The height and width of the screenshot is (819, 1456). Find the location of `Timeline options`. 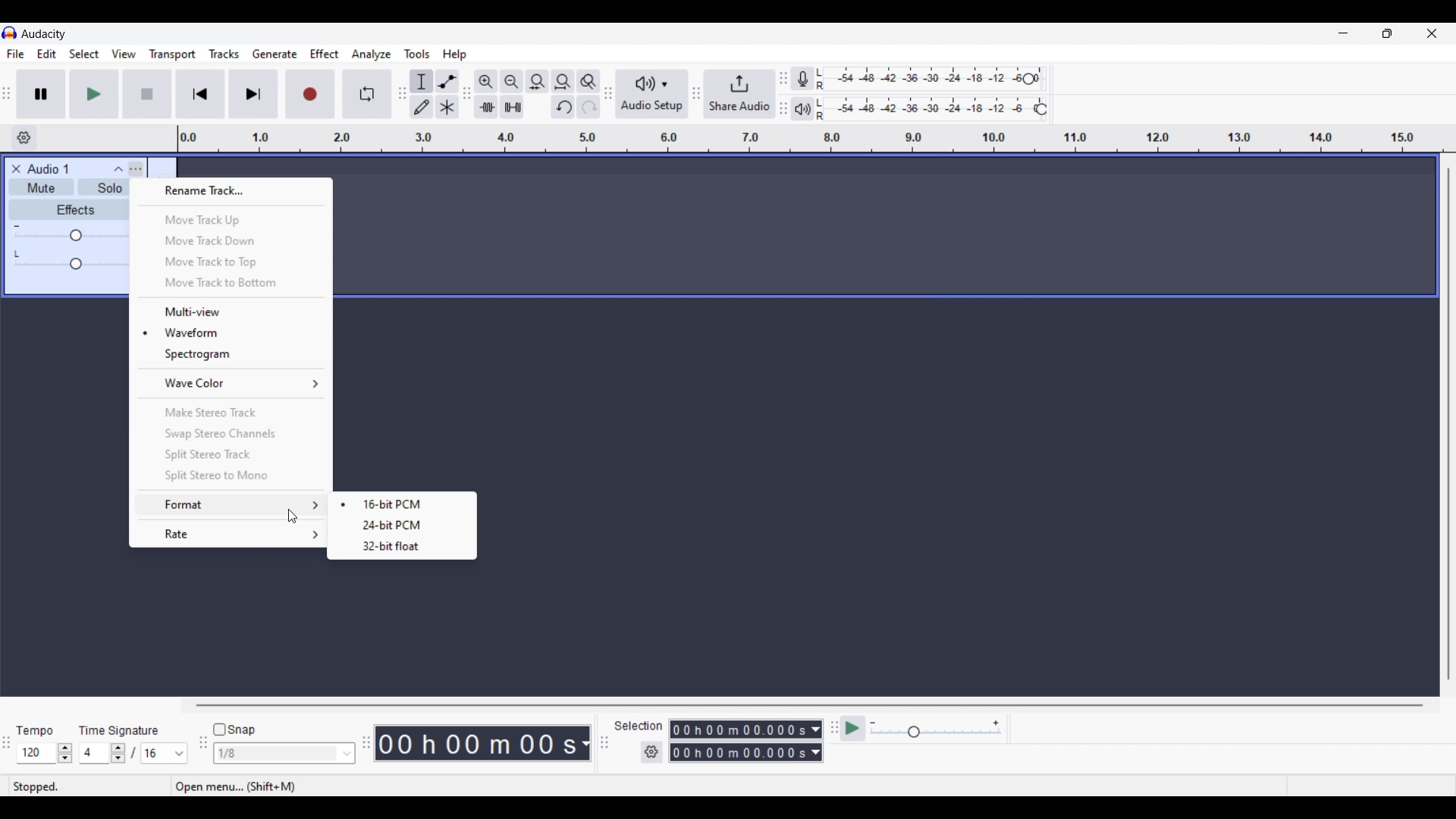

Timeline options is located at coordinates (24, 138).